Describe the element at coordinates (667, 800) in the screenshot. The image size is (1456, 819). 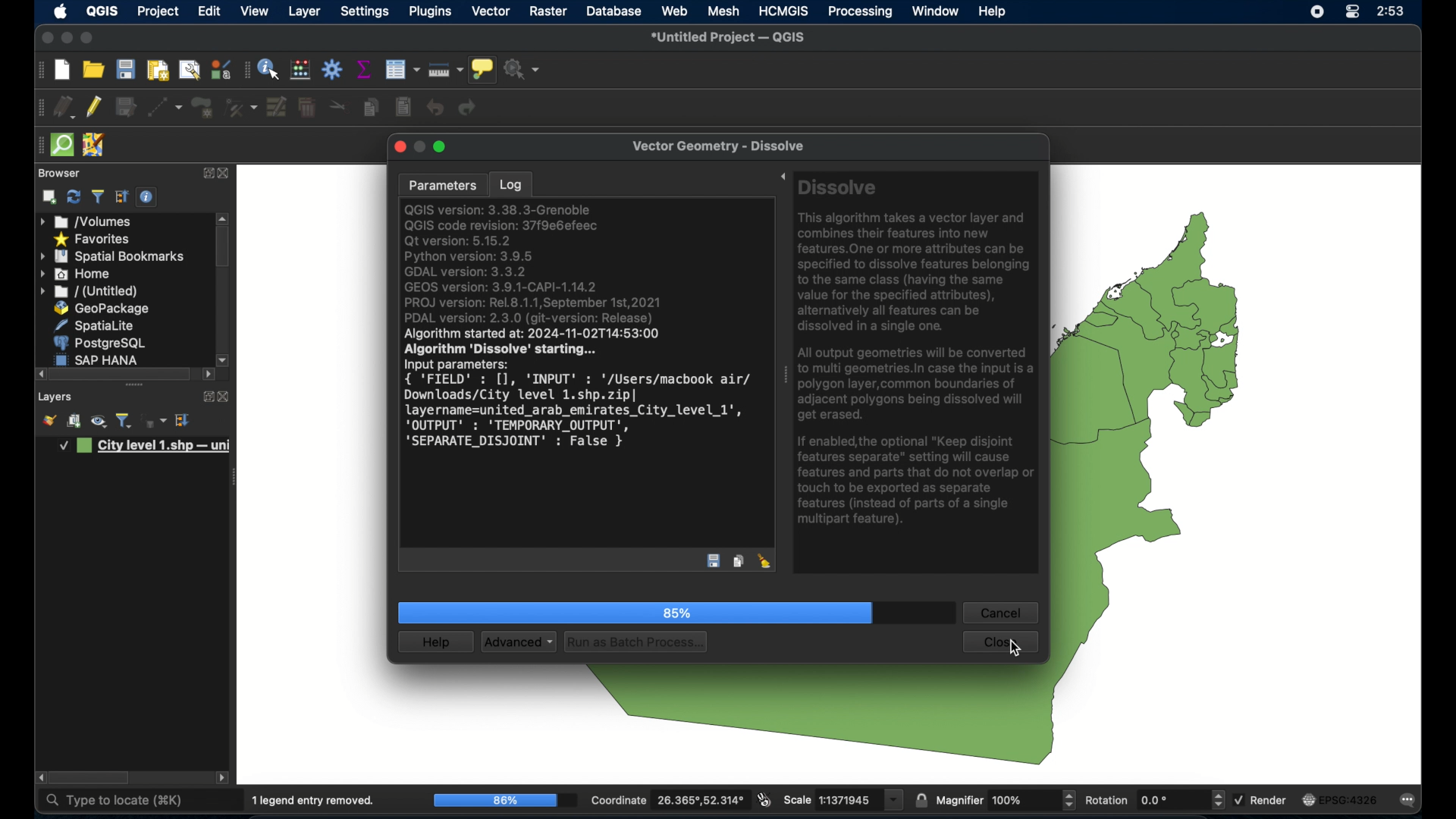
I see `coordinate` at that location.